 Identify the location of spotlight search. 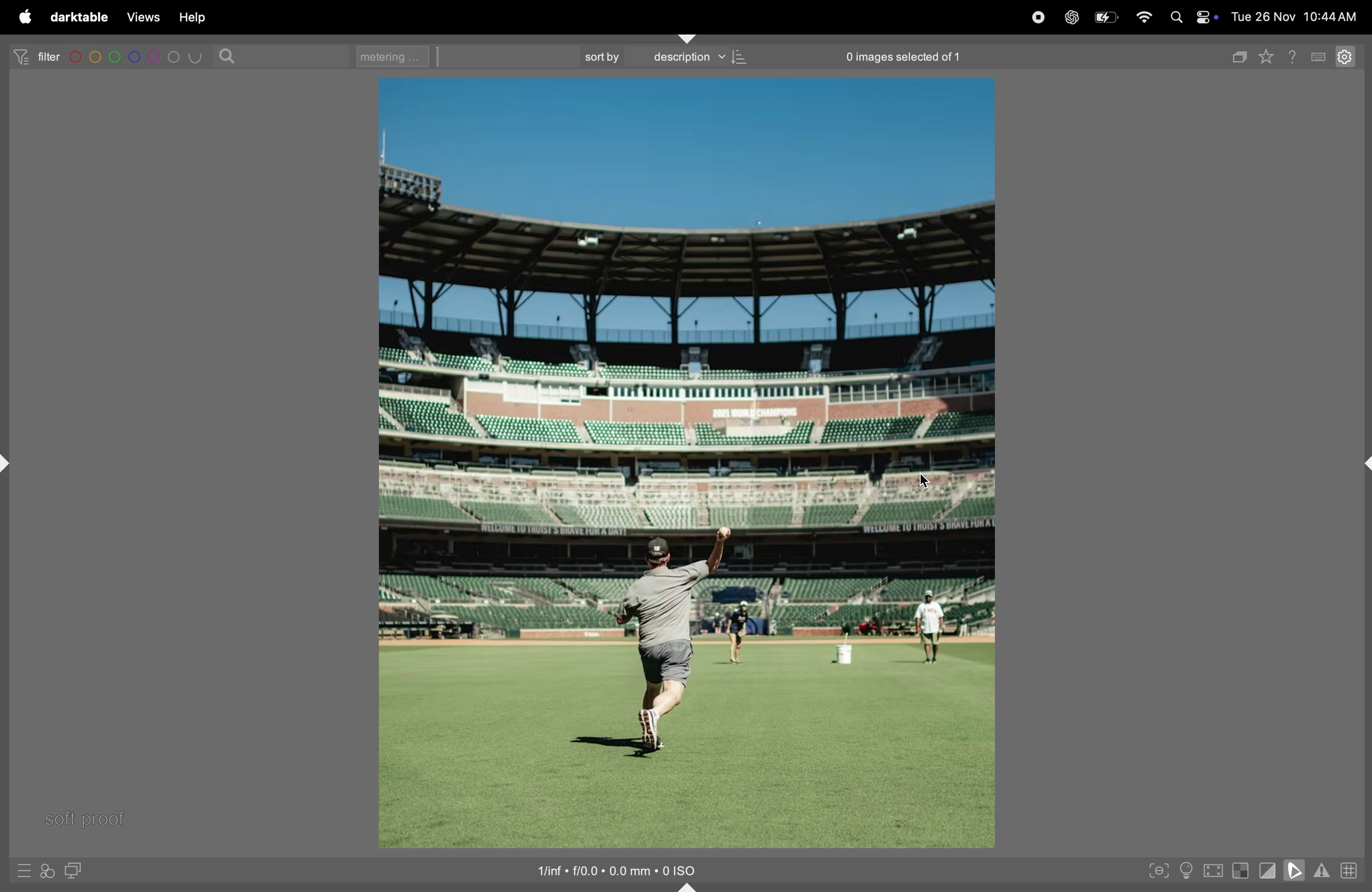
(1177, 20).